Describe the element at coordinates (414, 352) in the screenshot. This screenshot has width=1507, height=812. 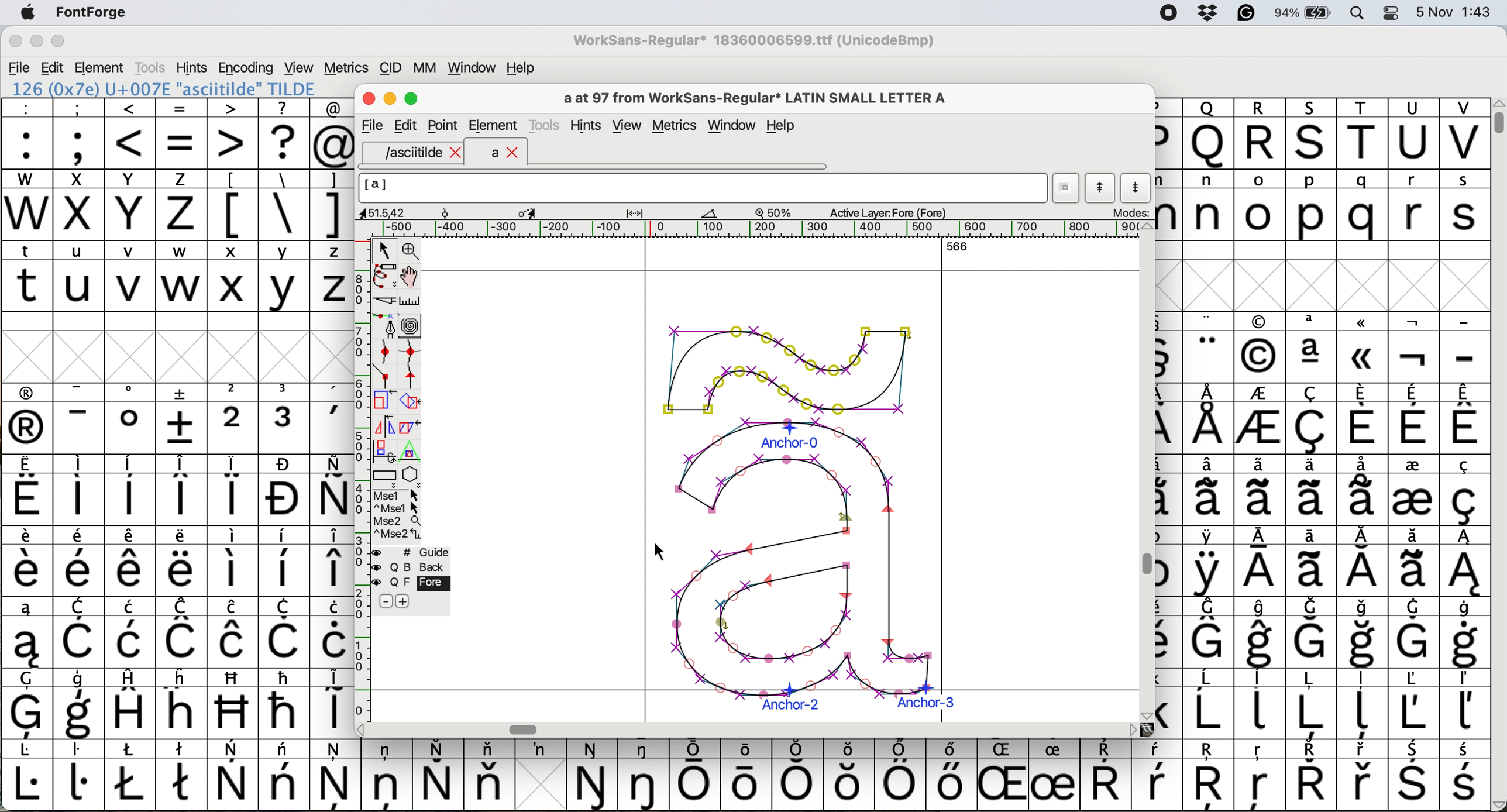
I see `add a curve point vertically or horizontally` at that location.